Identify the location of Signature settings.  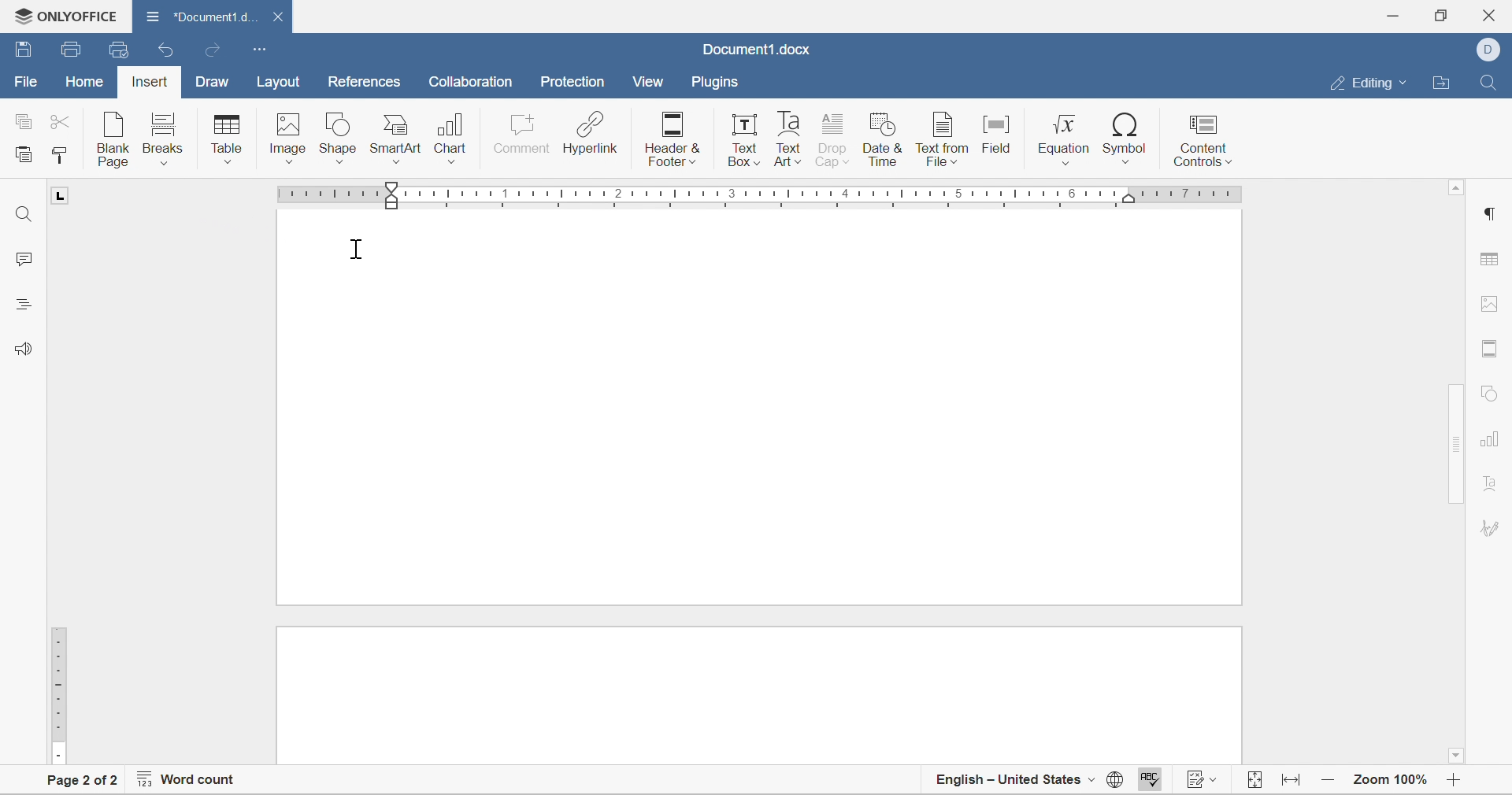
(1490, 490).